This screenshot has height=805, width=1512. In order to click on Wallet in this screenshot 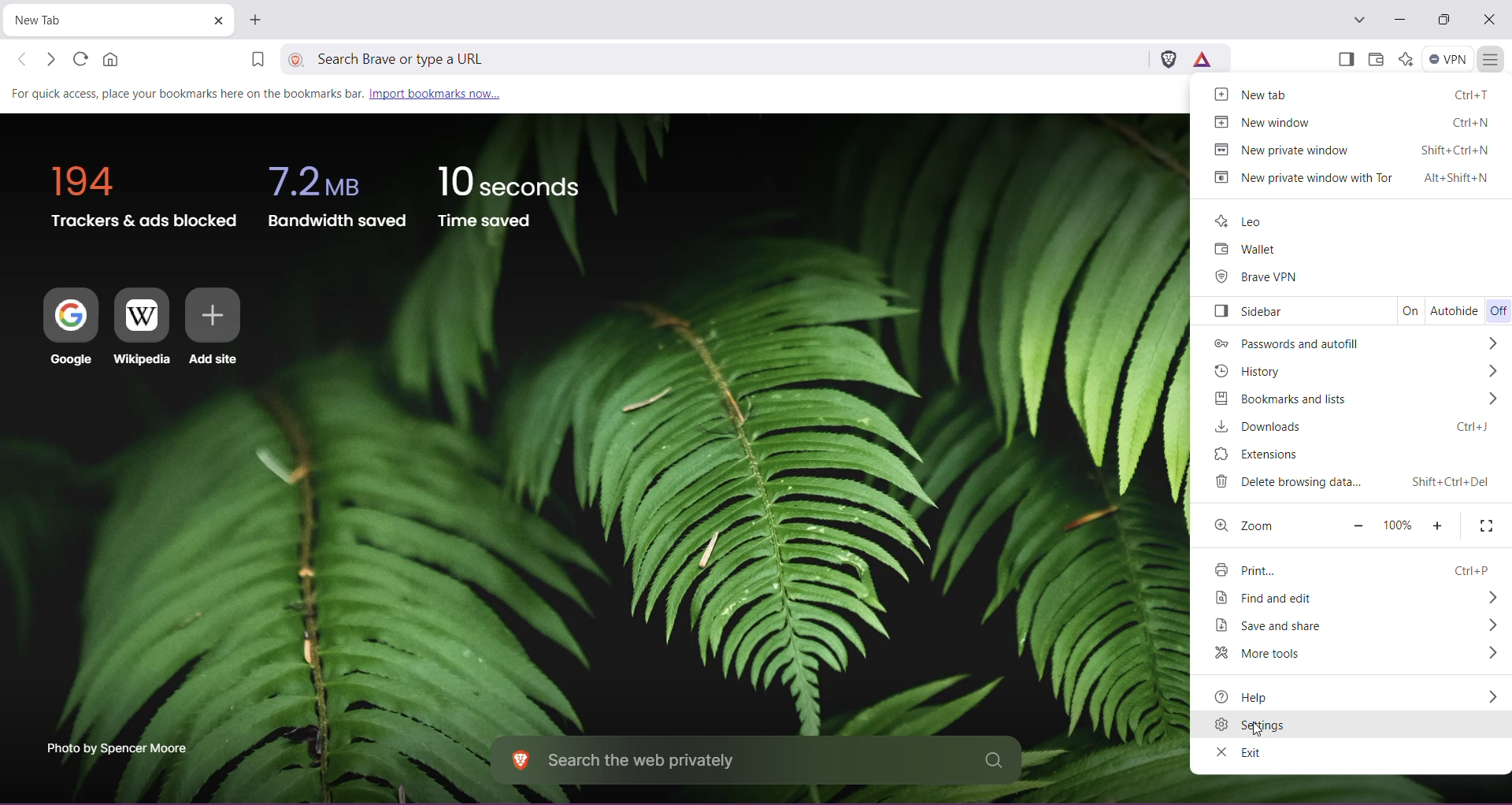, I will do `click(1375, 60)`.